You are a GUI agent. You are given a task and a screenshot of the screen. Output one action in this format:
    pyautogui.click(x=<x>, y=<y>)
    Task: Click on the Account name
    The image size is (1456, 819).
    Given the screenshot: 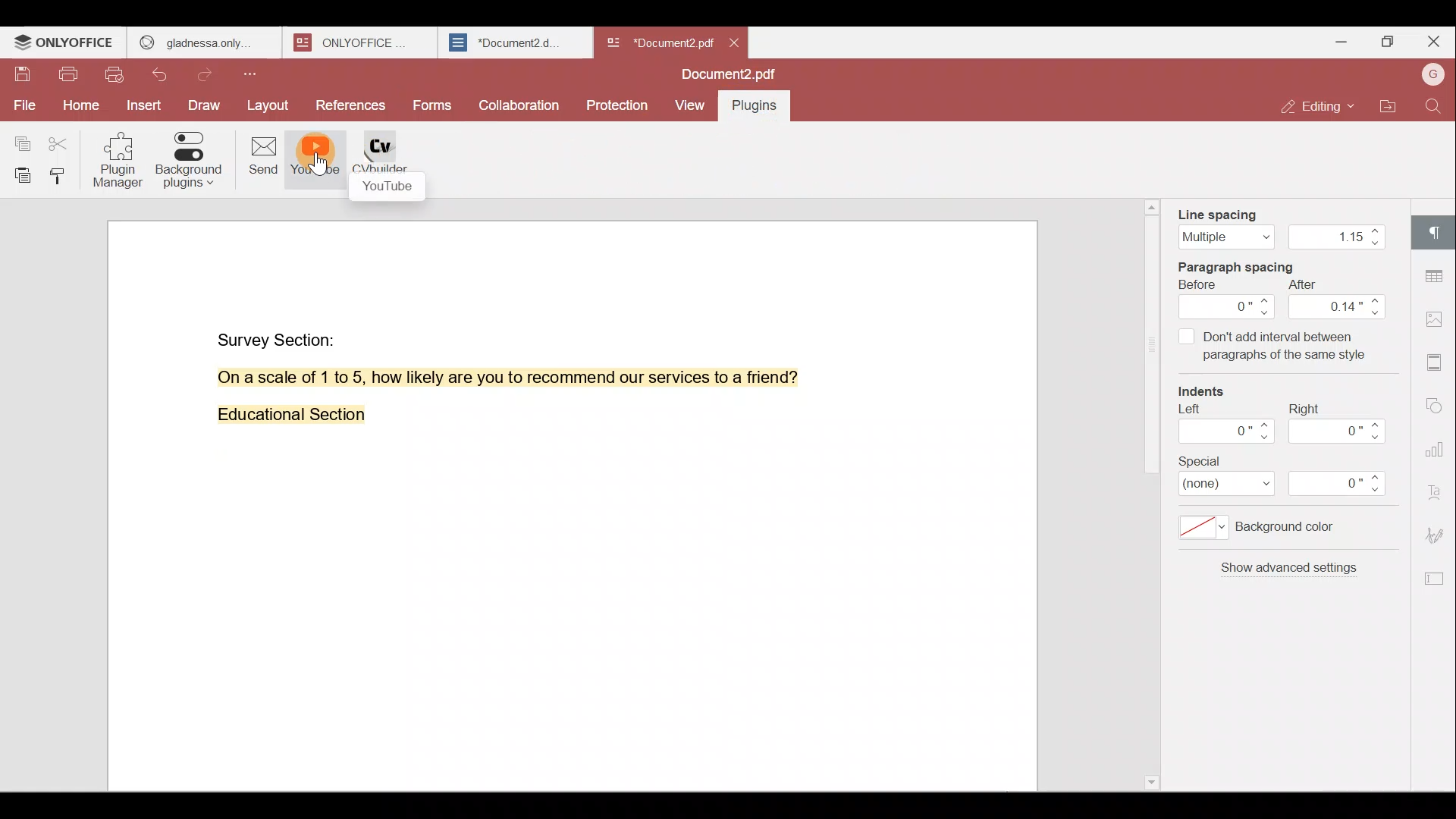 What is the action you would take?
    pyautogui.click(x=1432, y=76)
    